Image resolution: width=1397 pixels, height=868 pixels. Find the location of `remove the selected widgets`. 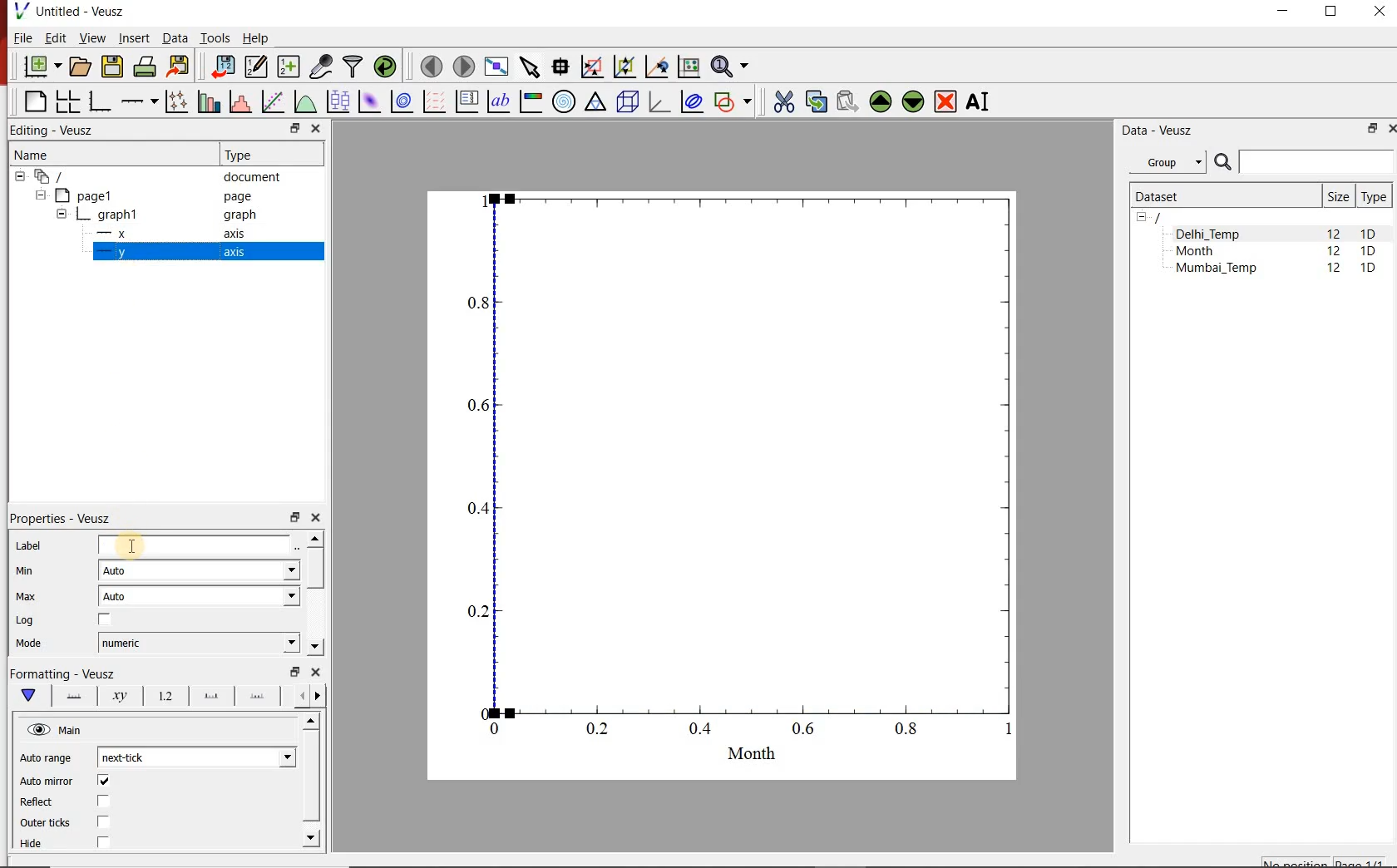

remove the selected widgets is located at coordinates (946, 101).